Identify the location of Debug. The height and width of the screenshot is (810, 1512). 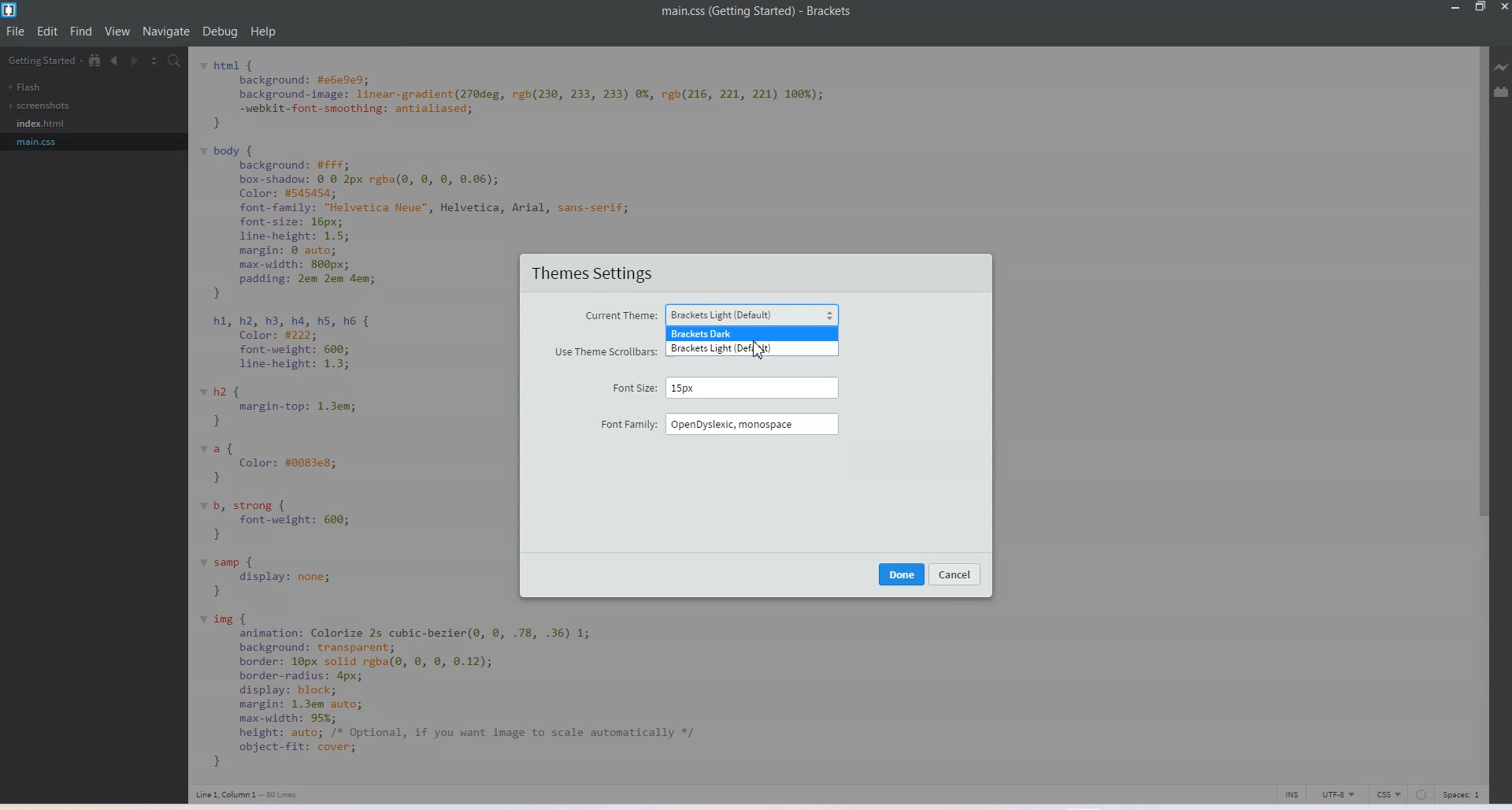
(220, 32).